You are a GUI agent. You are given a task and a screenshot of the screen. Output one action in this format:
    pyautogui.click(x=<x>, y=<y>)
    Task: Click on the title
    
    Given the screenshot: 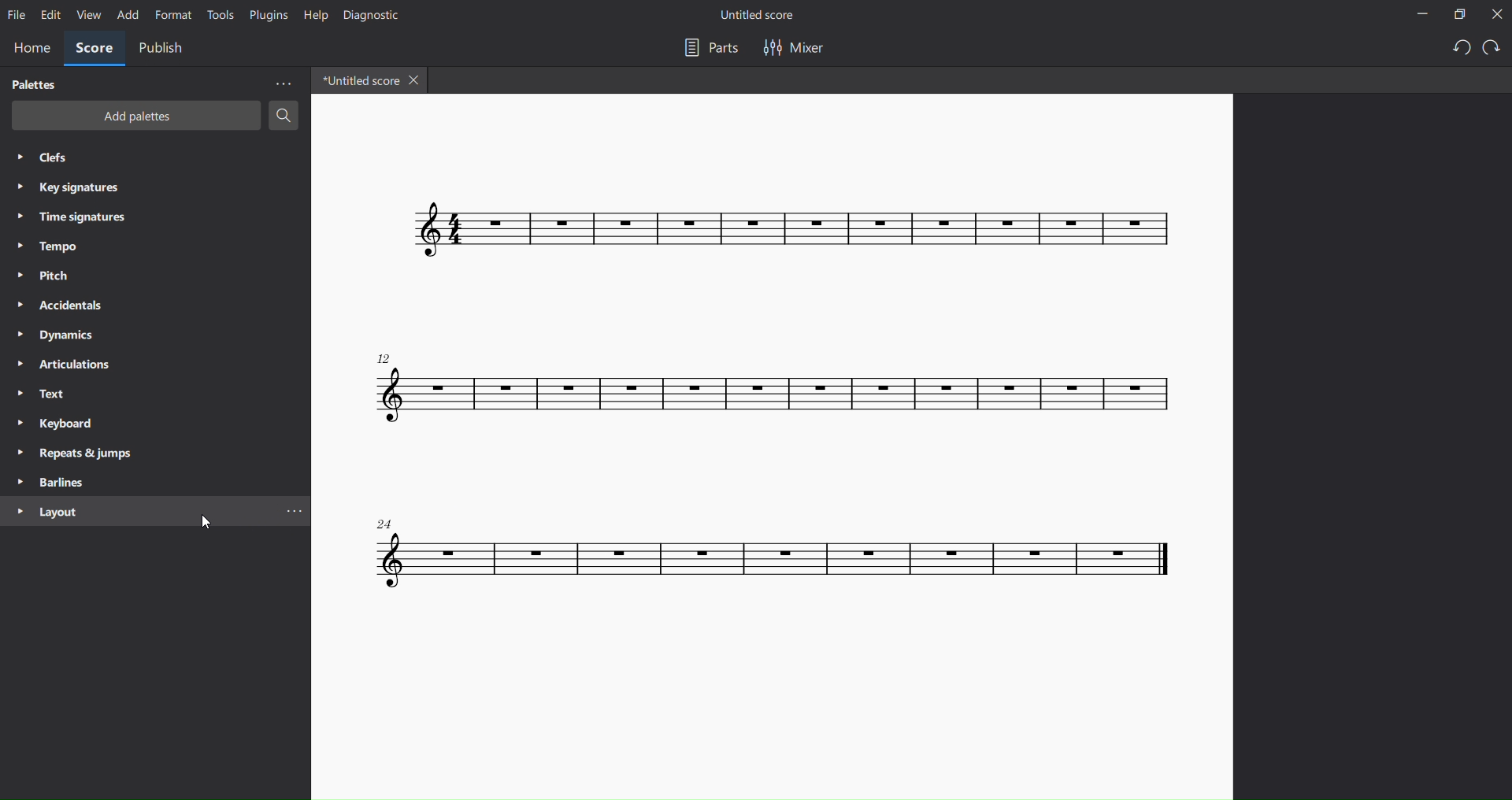 What is the action you would take?
    pyautogui.click(x=765, y=14)
    